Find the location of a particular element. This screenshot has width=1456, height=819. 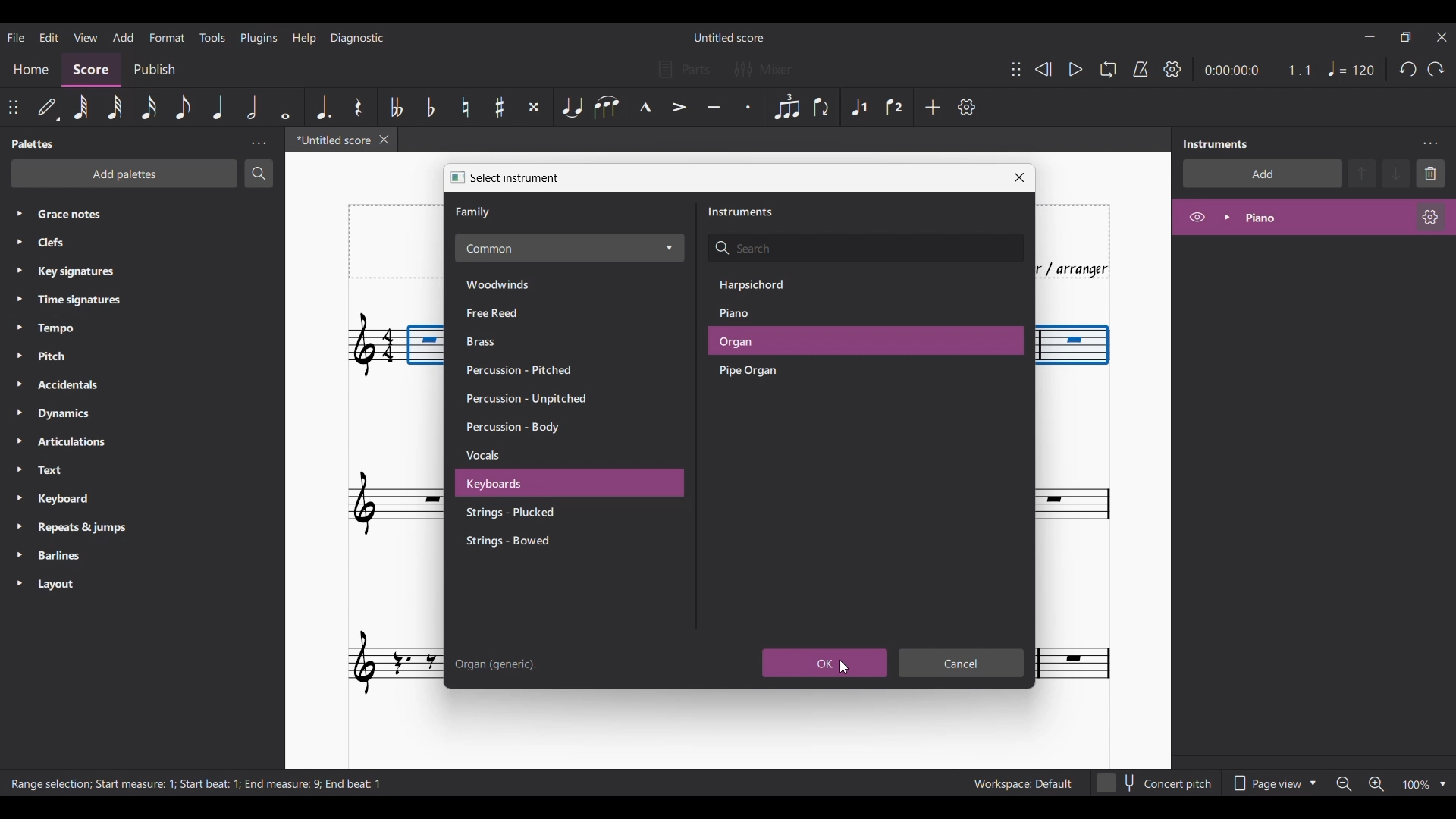

Panel settings is located at coordinates (259, 143).